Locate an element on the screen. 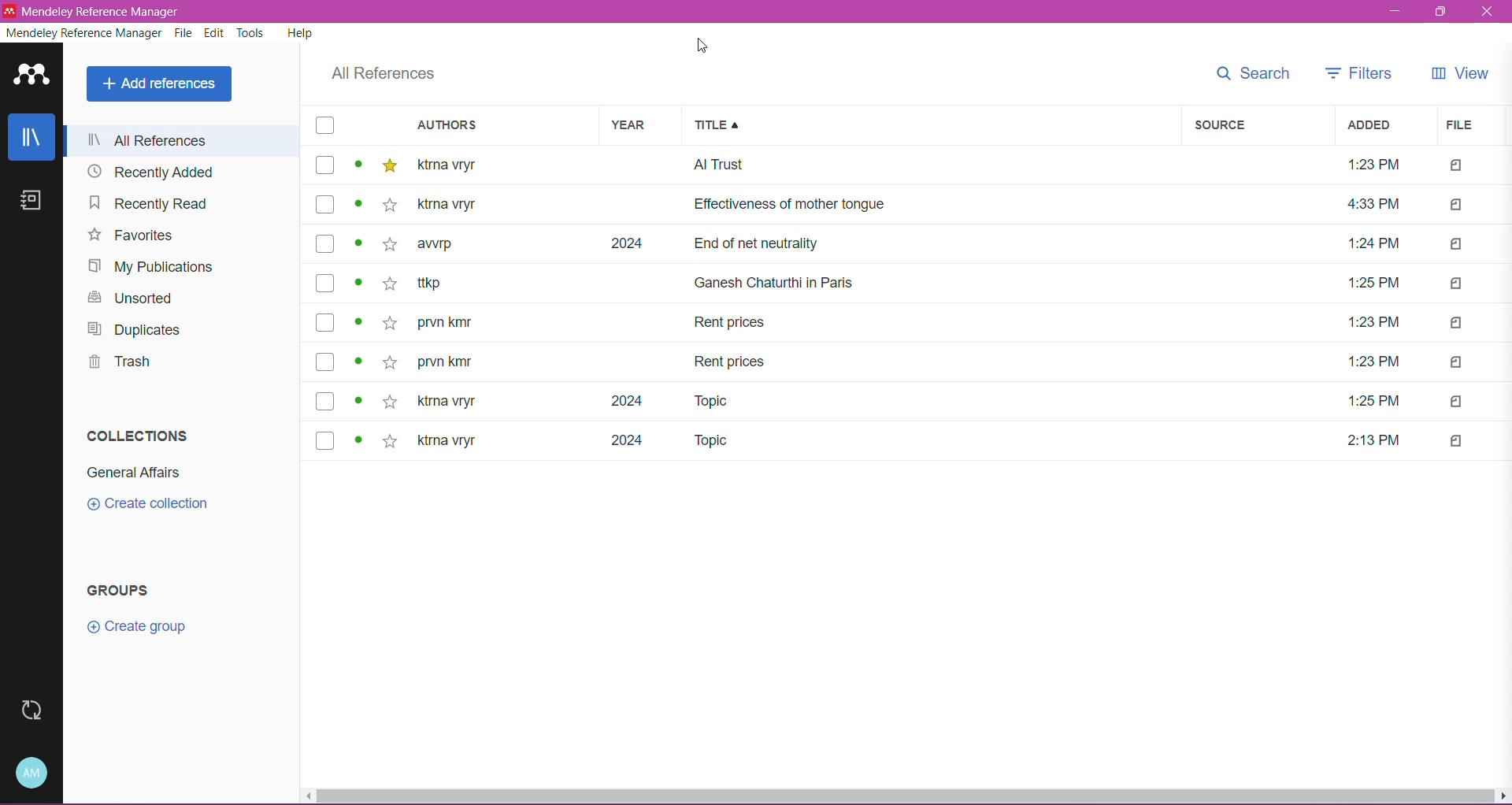  Recently Added is located at coordinates (146, 173).